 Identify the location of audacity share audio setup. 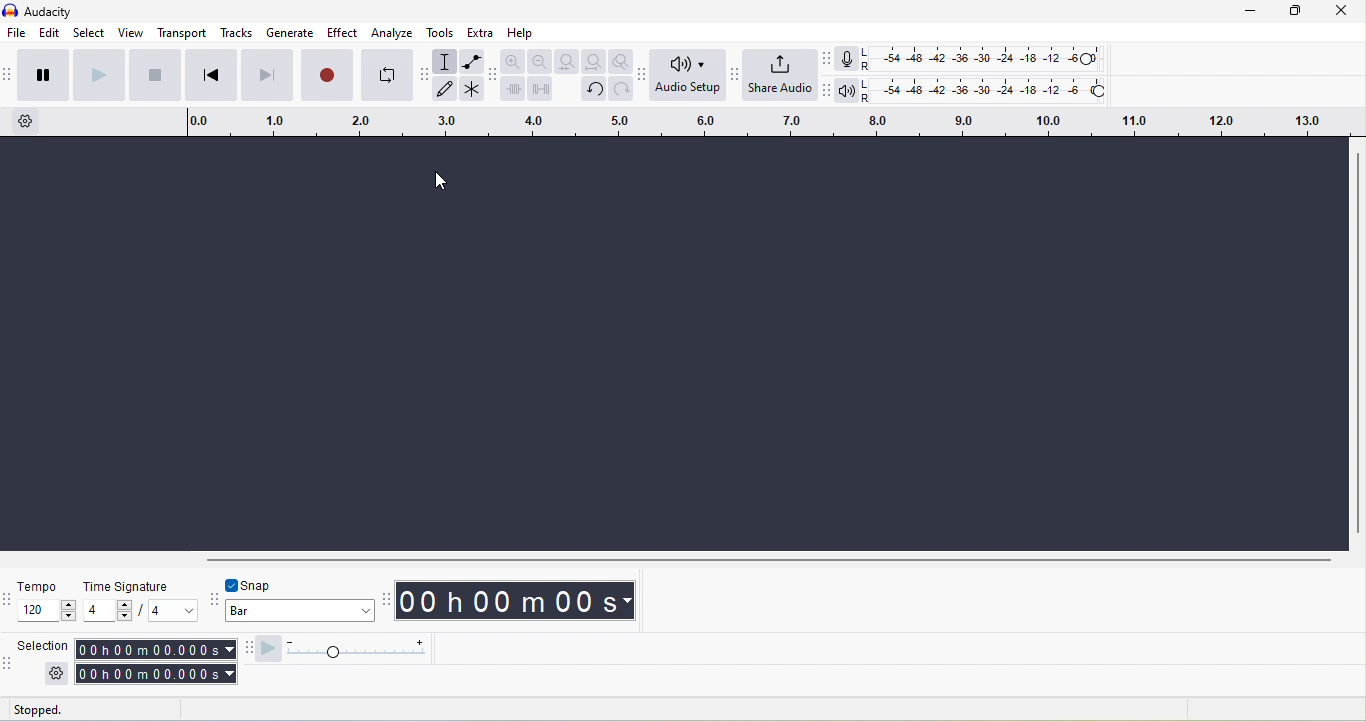
(736, 77).